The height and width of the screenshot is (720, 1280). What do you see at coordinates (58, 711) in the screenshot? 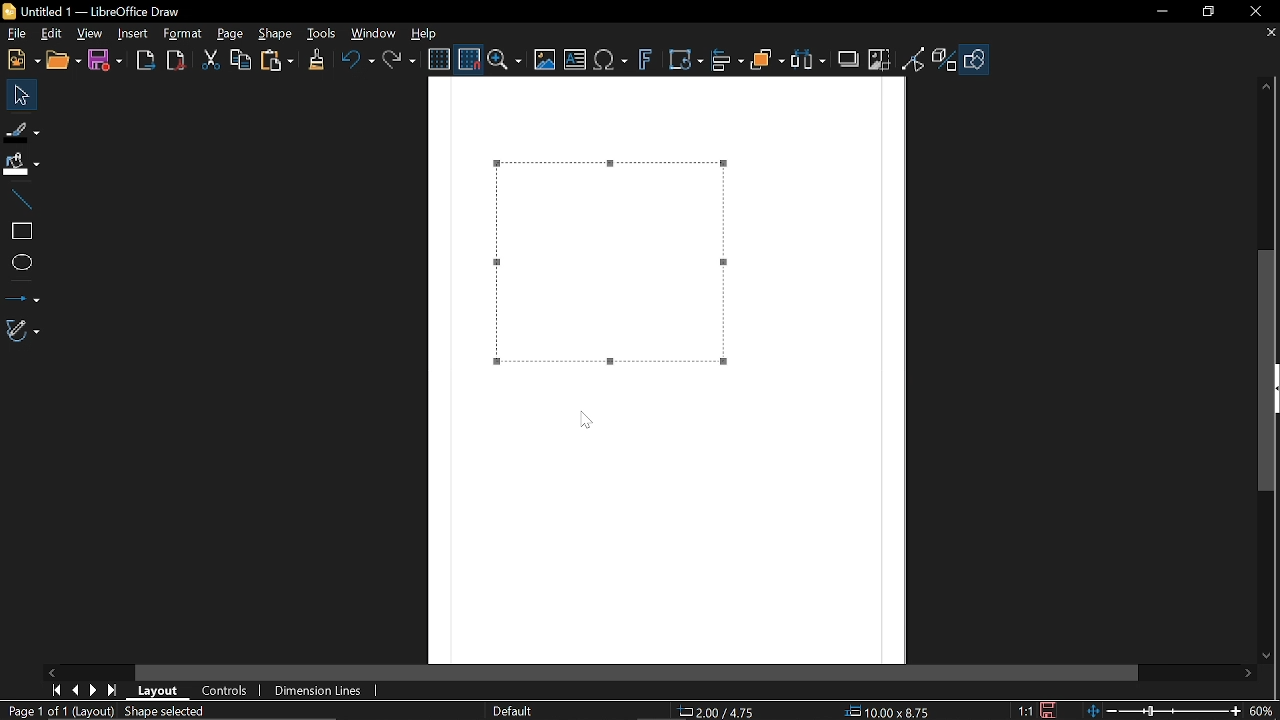
I see `Current page` at bounding box center [58, 711].